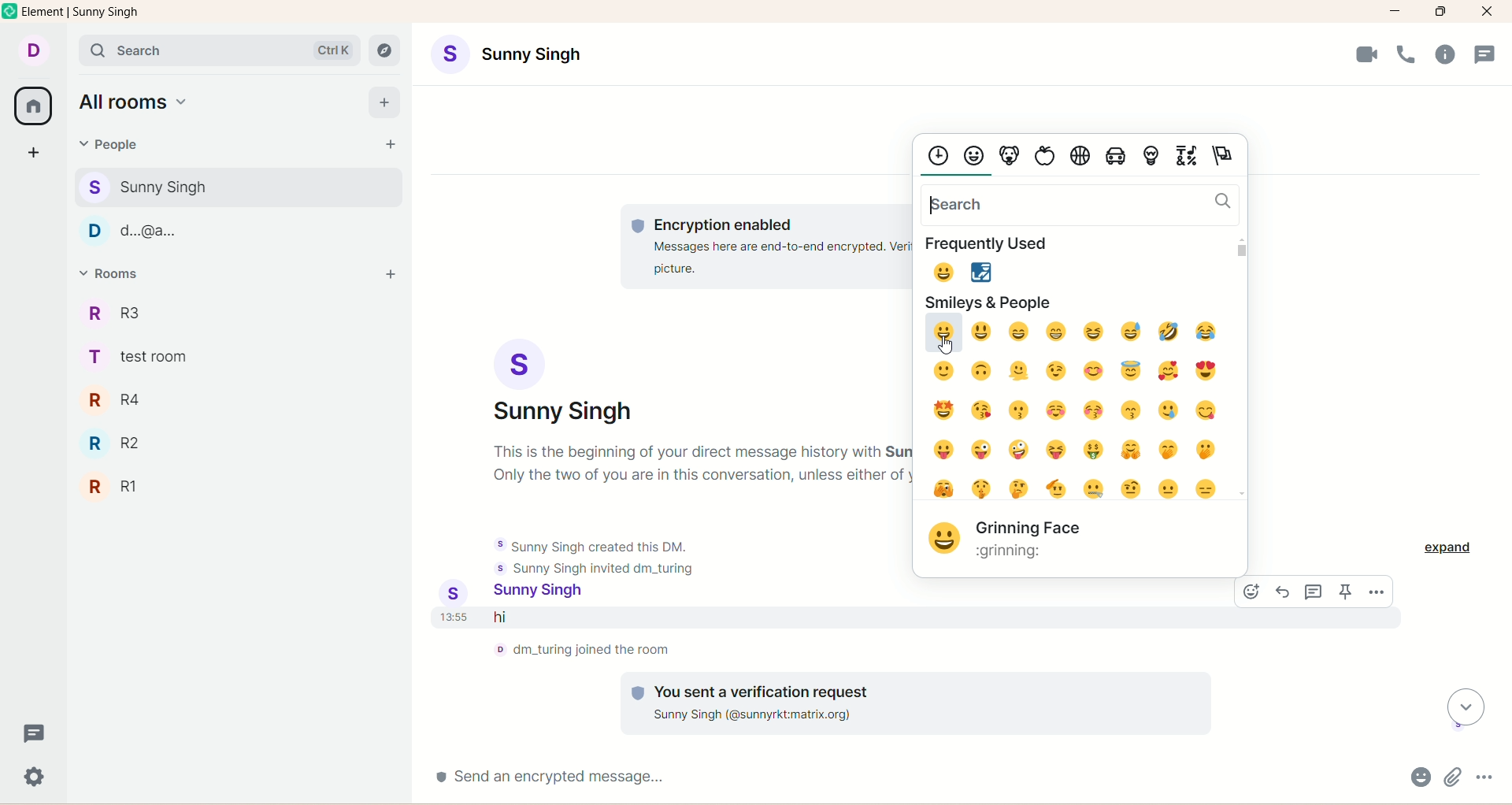 The width and height of the screenshot is (1512, 805). Describe the element at coordinates (1131, 450) in the screenshot. I see `Smiling face with open hands` at that location.